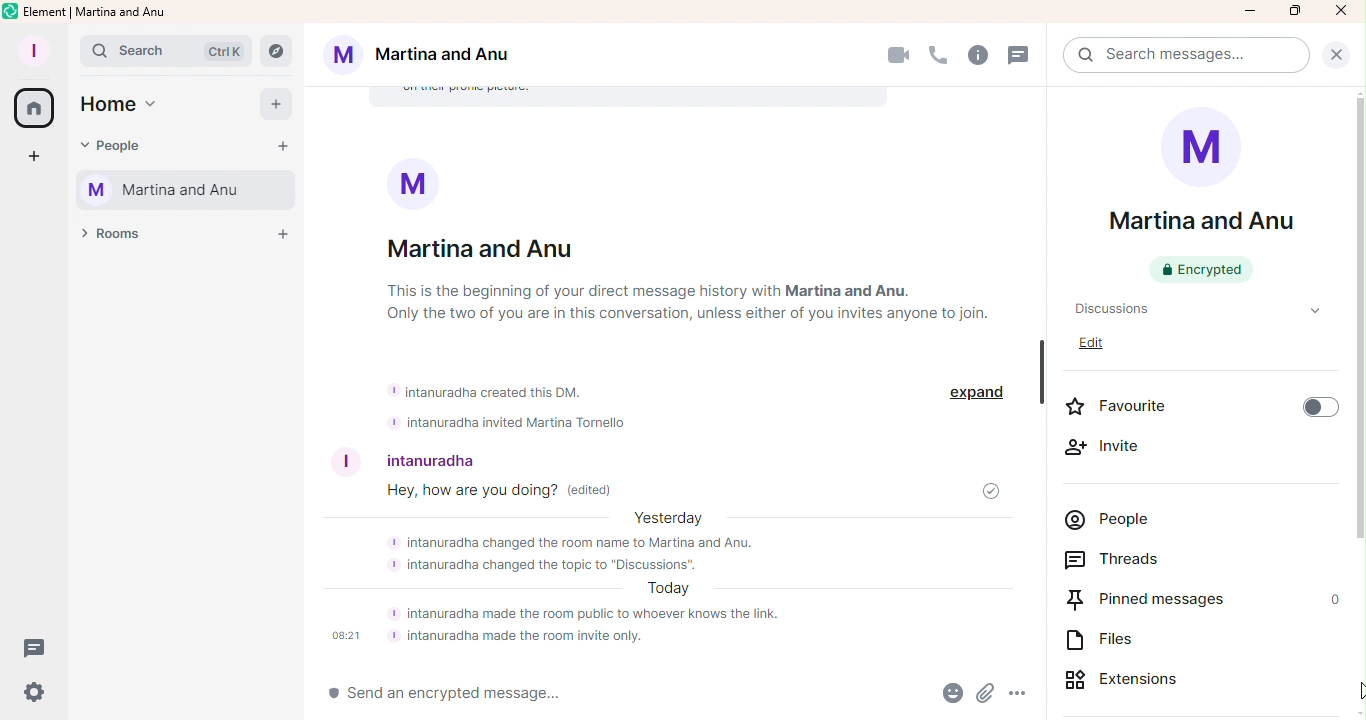  What do you see at coordinates (981, 55) in the screenshot?
I see `Room info` at bounding box center [981, 55].